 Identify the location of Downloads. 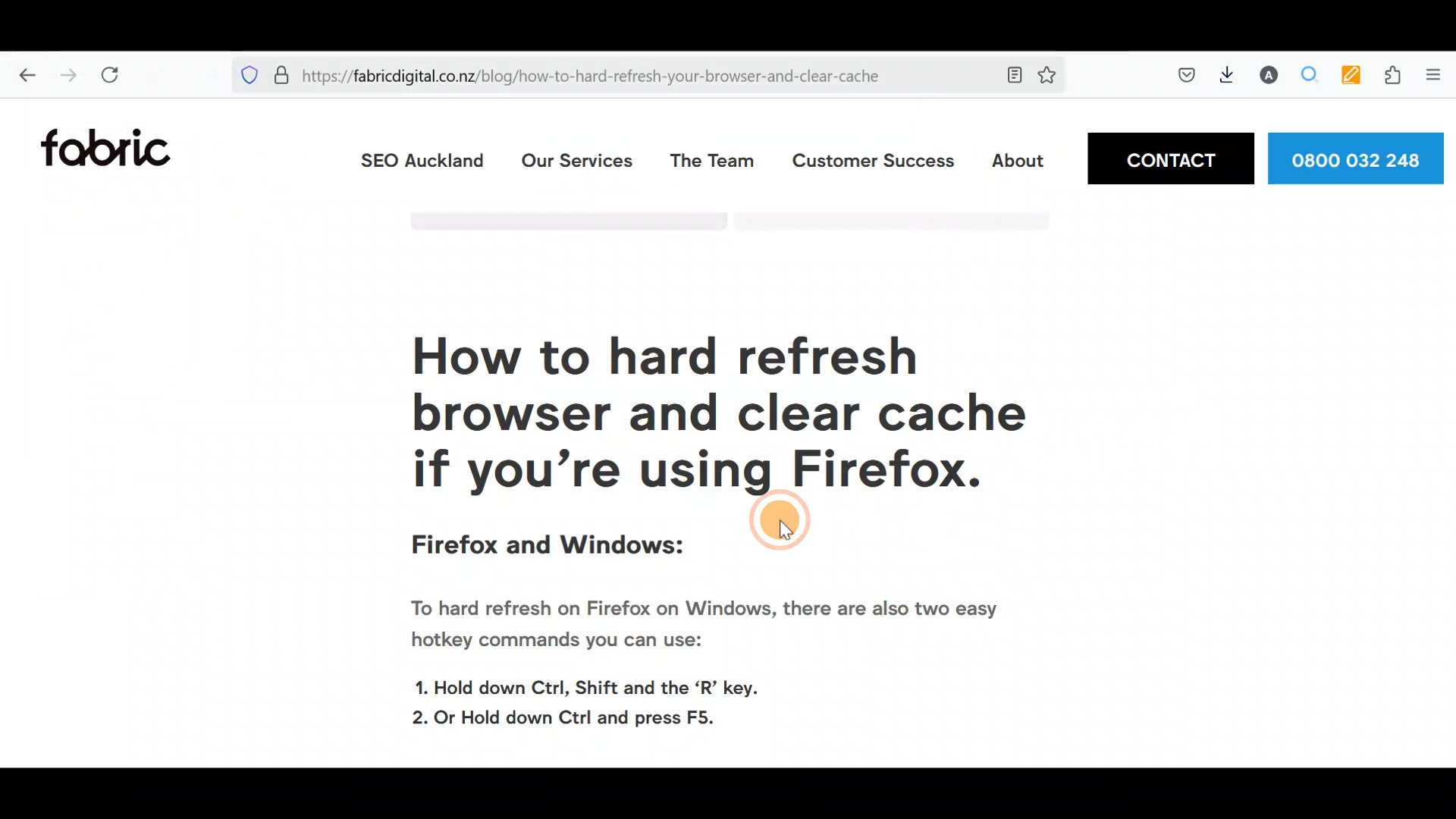
(1232, 76).